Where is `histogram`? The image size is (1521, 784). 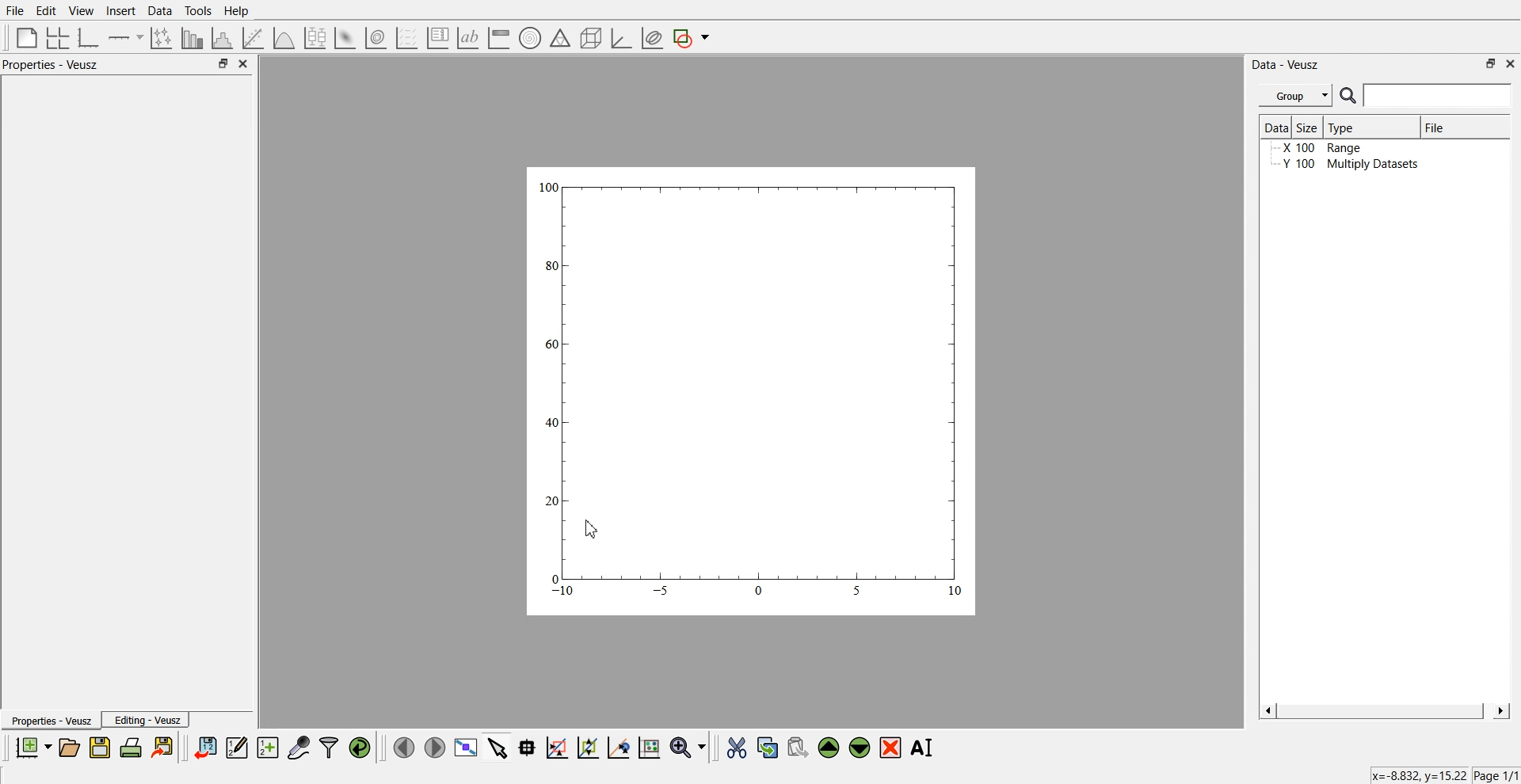 histogram is located at coordinates (225, 37).